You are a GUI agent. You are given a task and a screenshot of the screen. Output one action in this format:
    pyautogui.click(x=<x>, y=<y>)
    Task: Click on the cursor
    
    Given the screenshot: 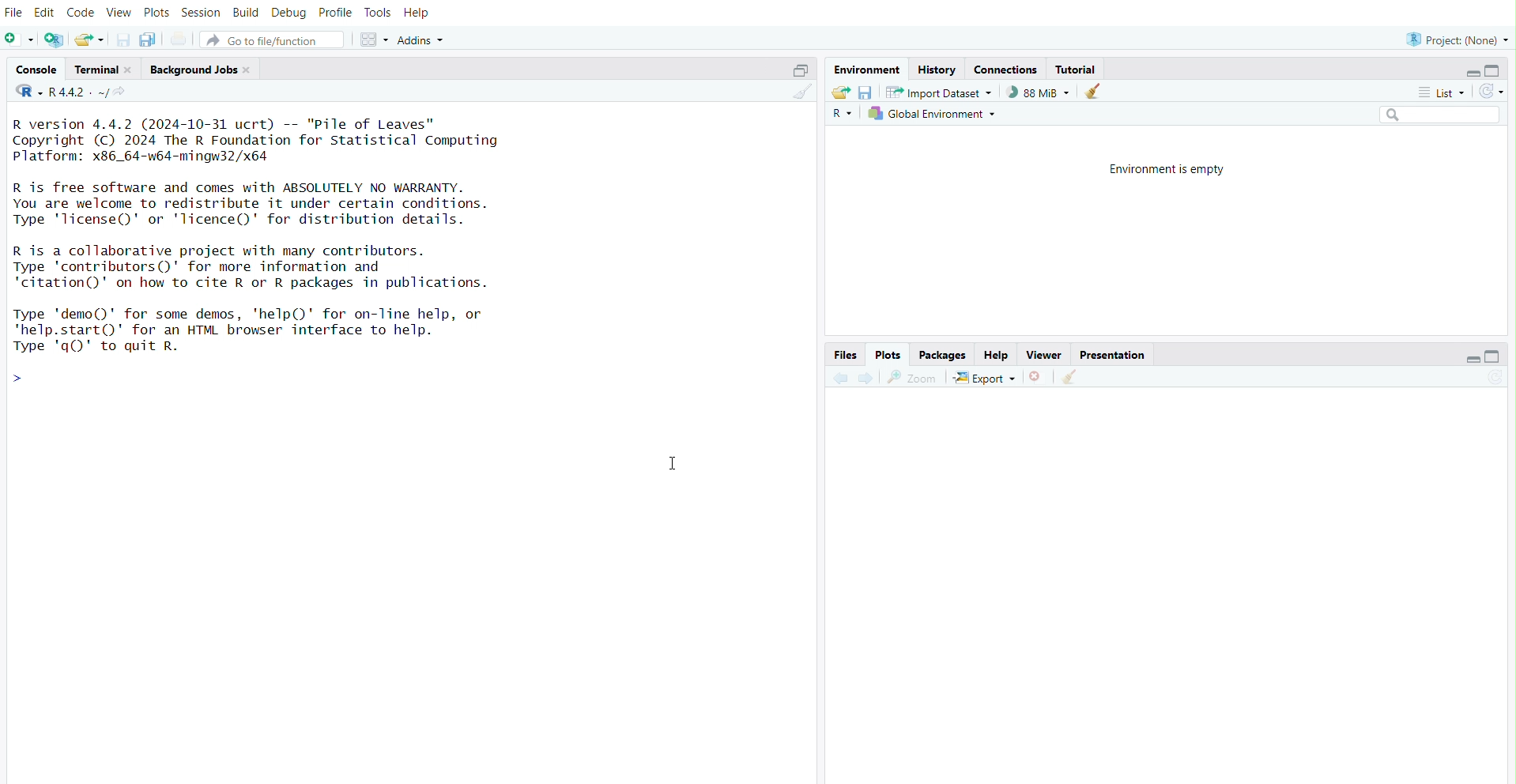 What is the action you would take?
    pyautogui.click(x=670, y=465)
    